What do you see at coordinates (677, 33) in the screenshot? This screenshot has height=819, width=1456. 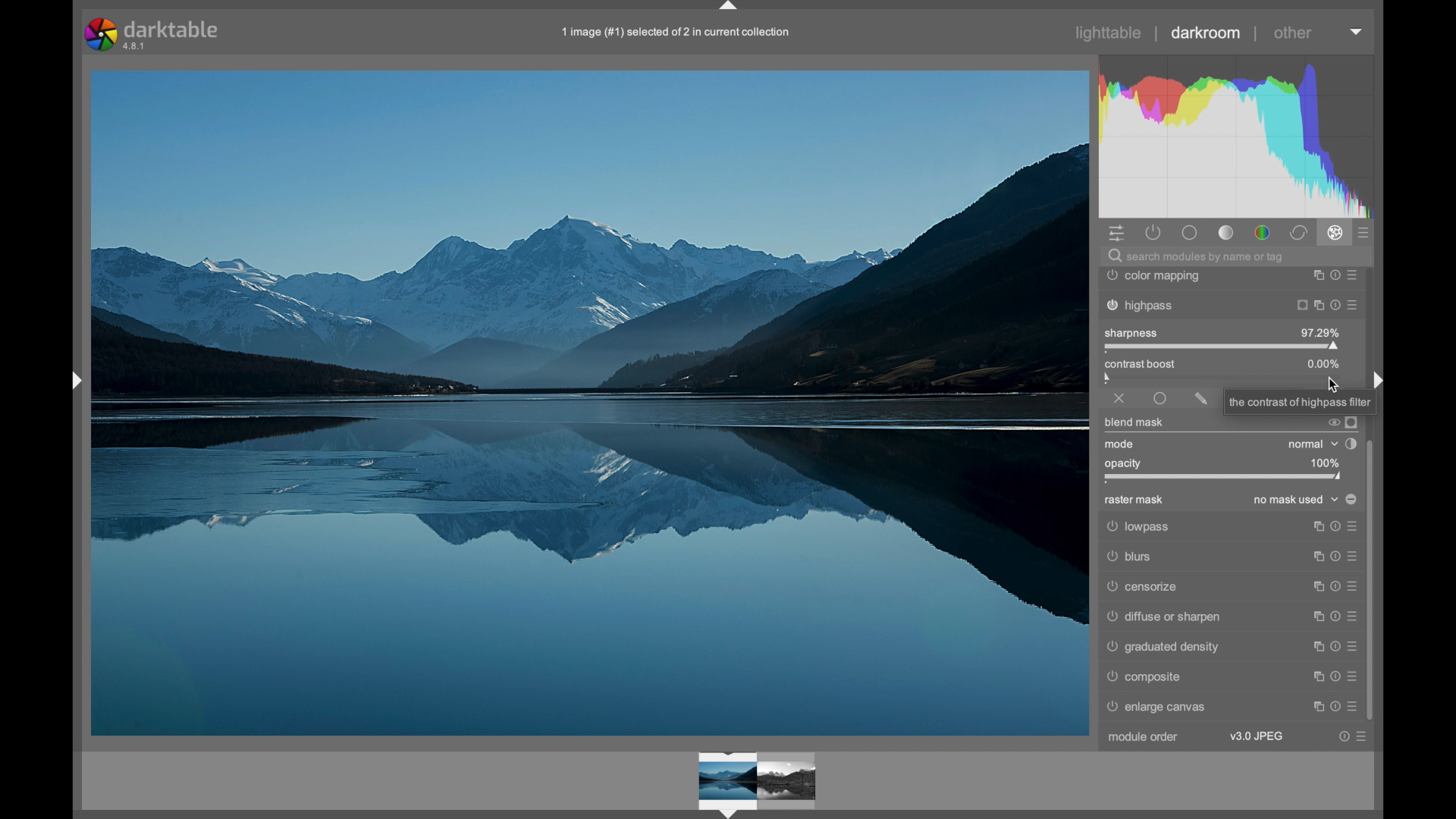 I see `filename` at bounding box center [677, 33].